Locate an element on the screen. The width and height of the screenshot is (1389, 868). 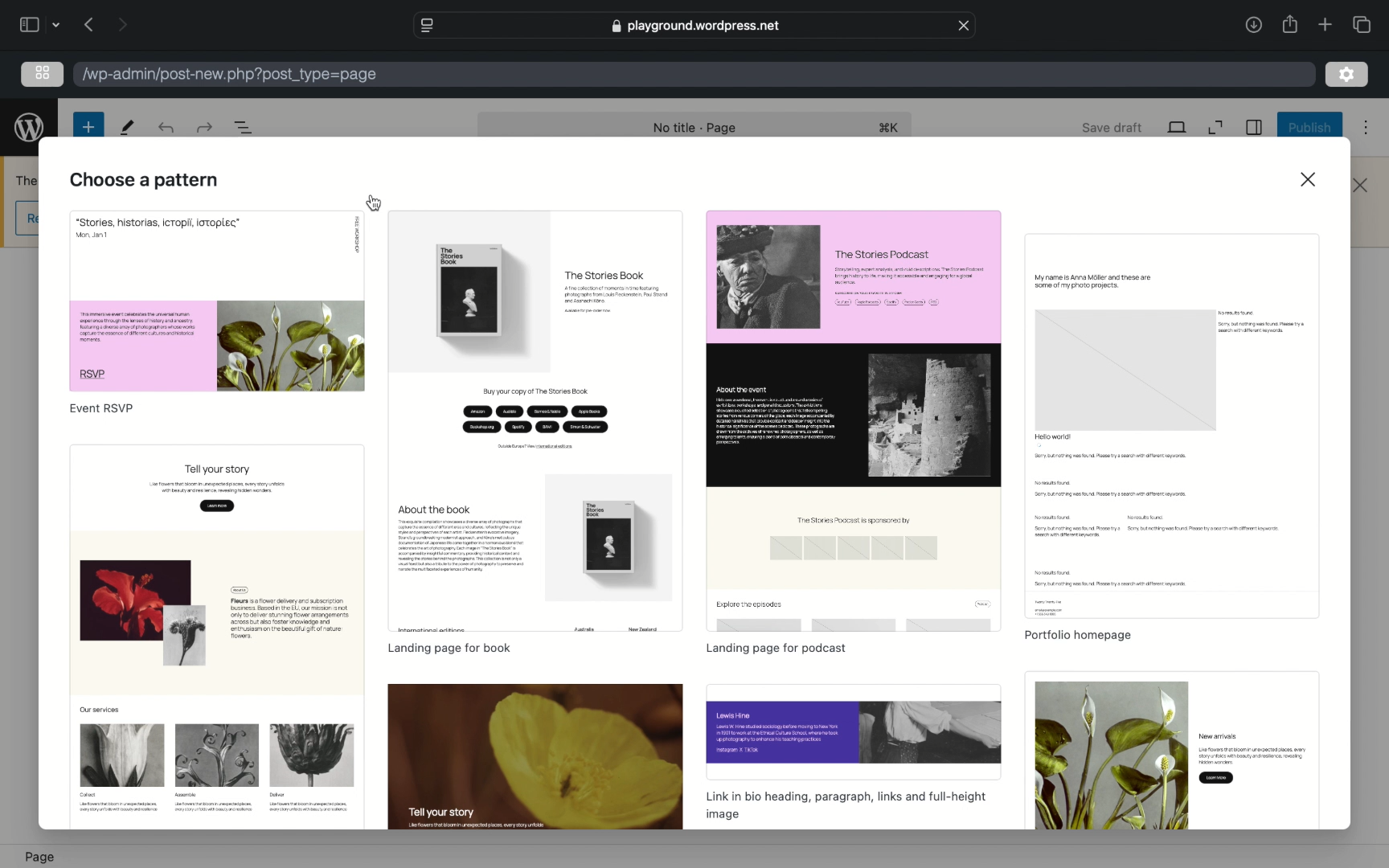
dropdown is located at coordinates (56, 24).